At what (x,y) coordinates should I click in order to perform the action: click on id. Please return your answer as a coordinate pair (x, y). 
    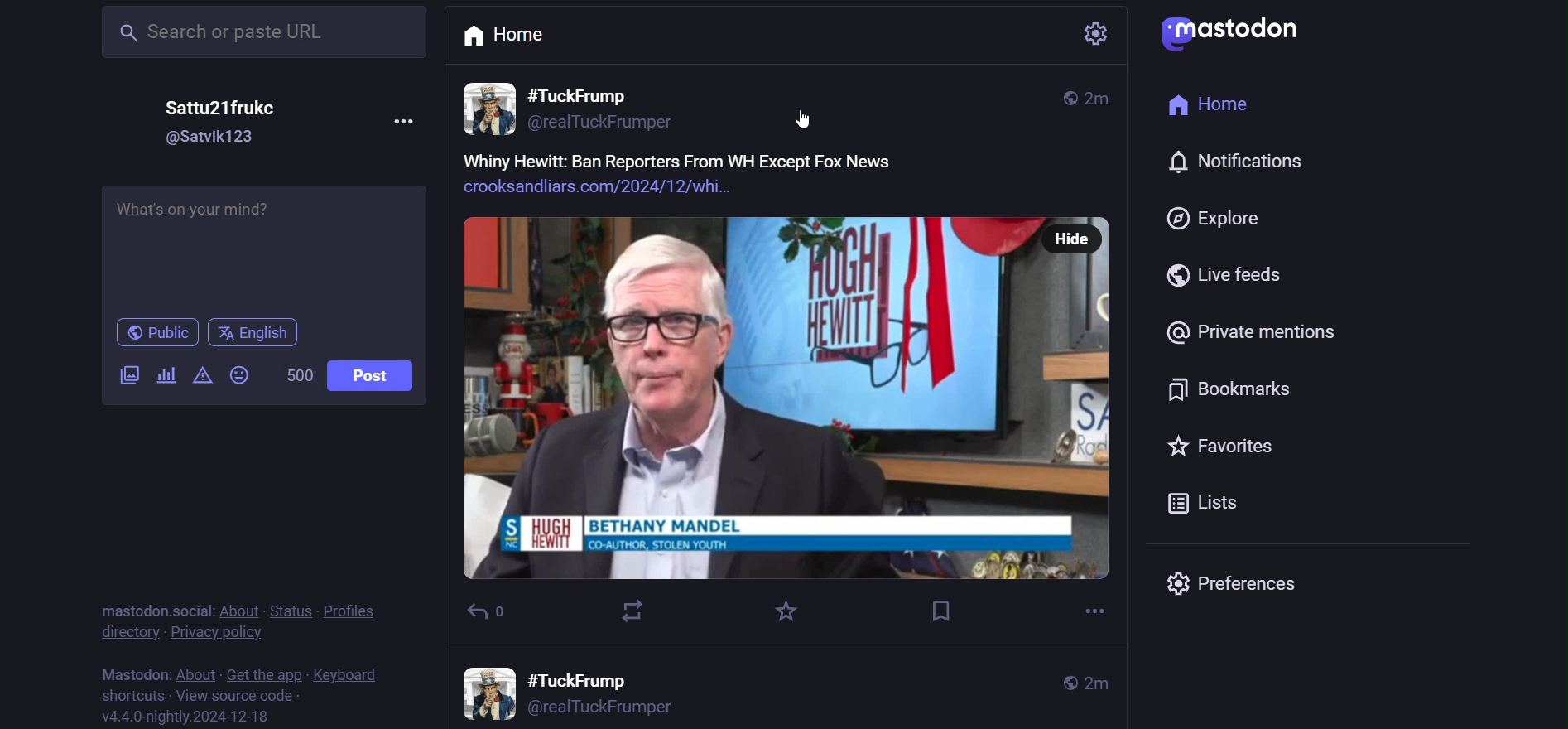
    Looking at the image, I should click on (602, 124).